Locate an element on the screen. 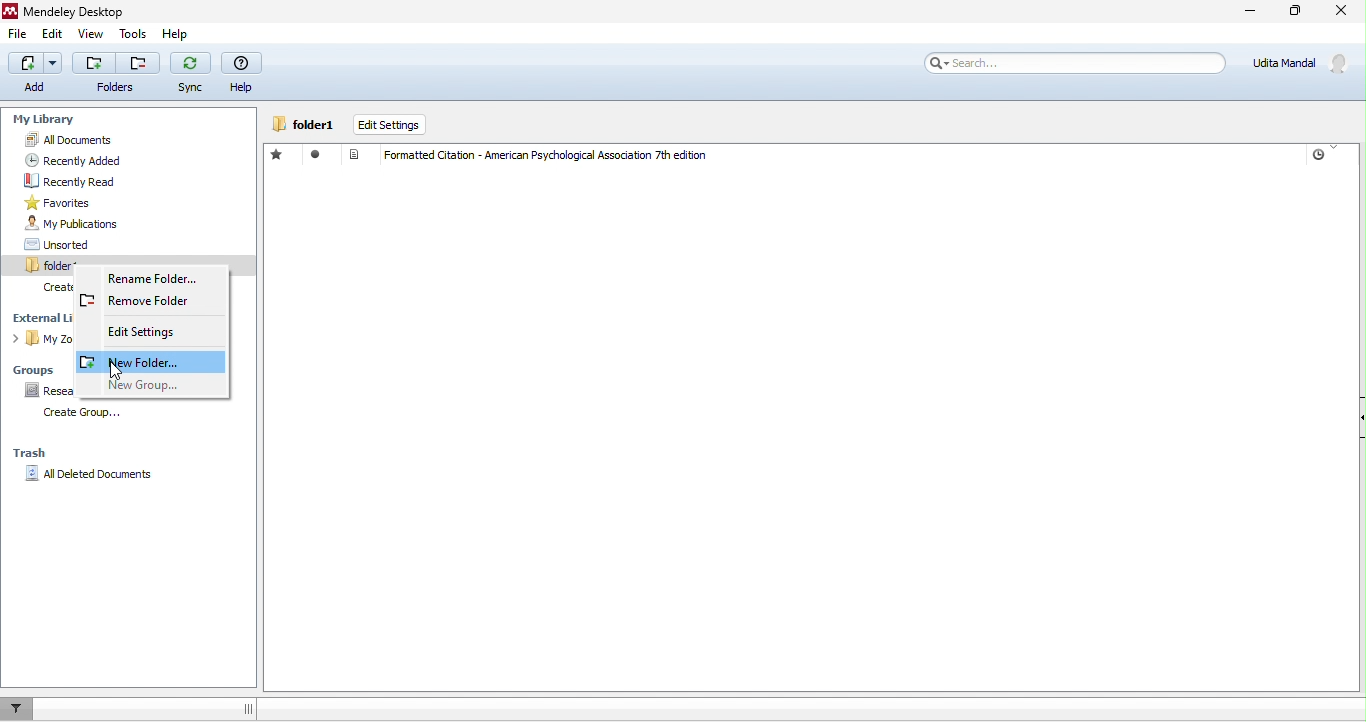 This screenshot has height=722, width=1366. Udita Mandal is located at coordinates (1298, 61).